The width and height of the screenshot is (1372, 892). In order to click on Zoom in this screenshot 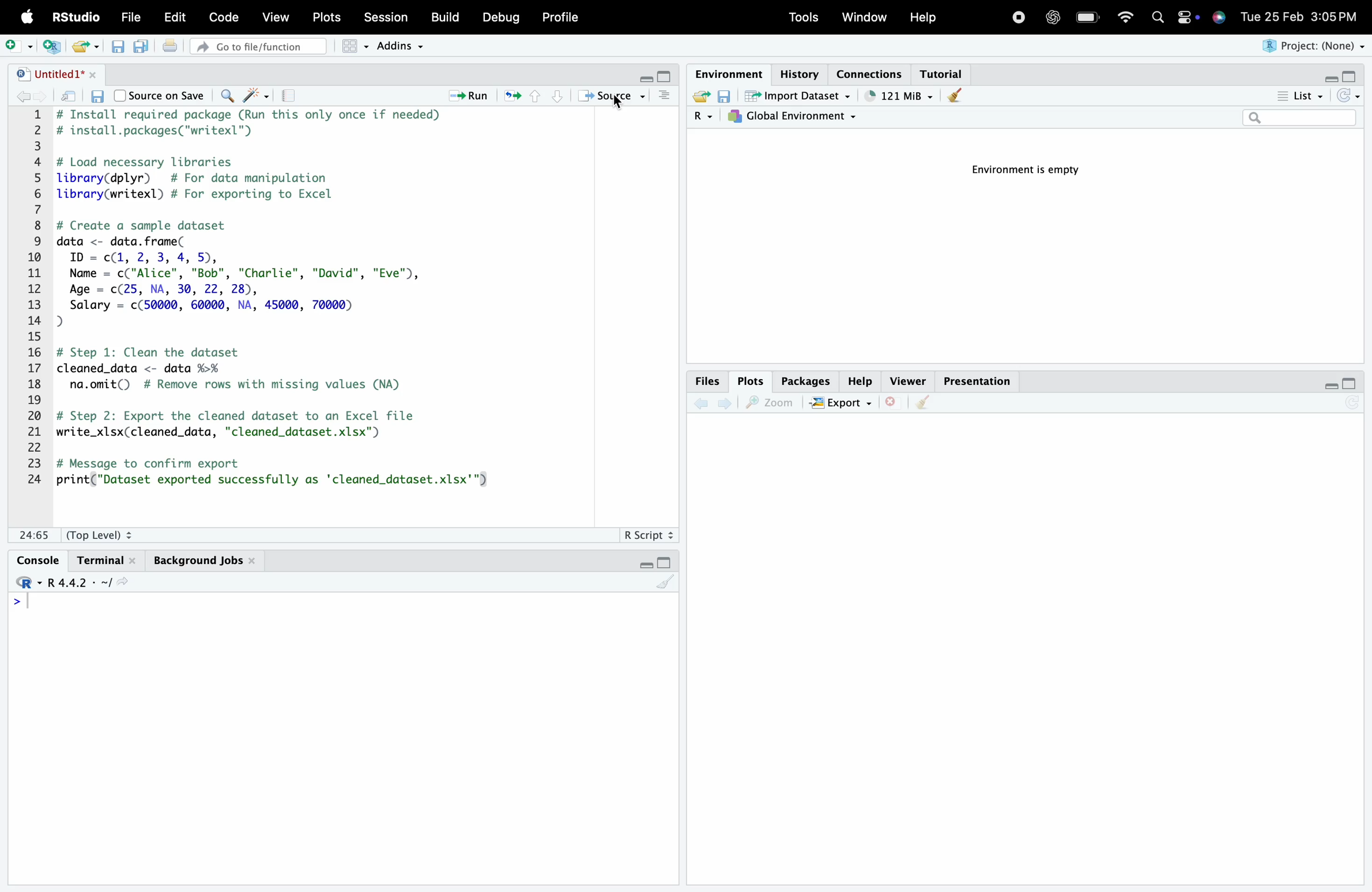, I will do `click(774, 403)`.